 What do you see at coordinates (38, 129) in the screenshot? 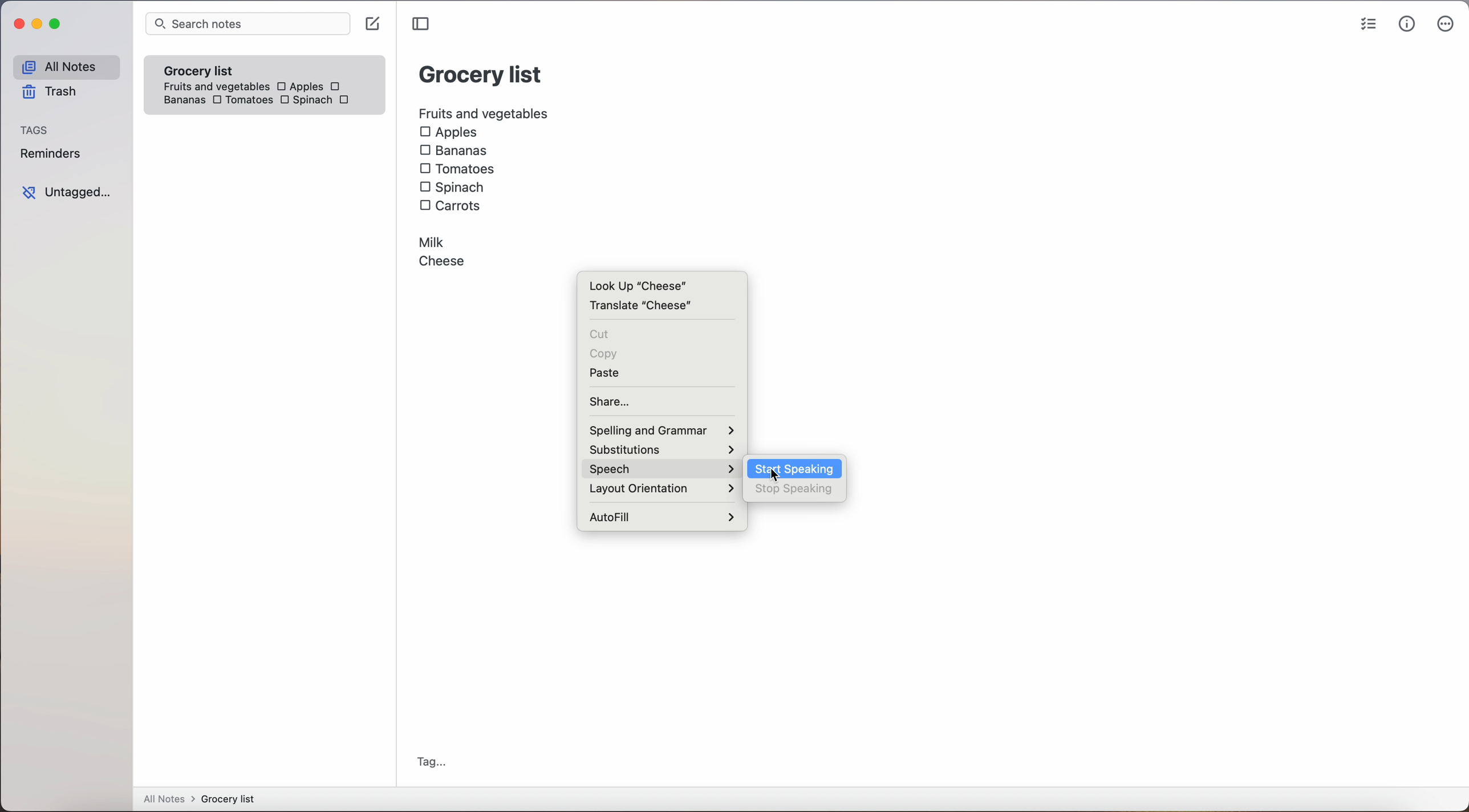
I see `tags` at bounding box center [38, 129].